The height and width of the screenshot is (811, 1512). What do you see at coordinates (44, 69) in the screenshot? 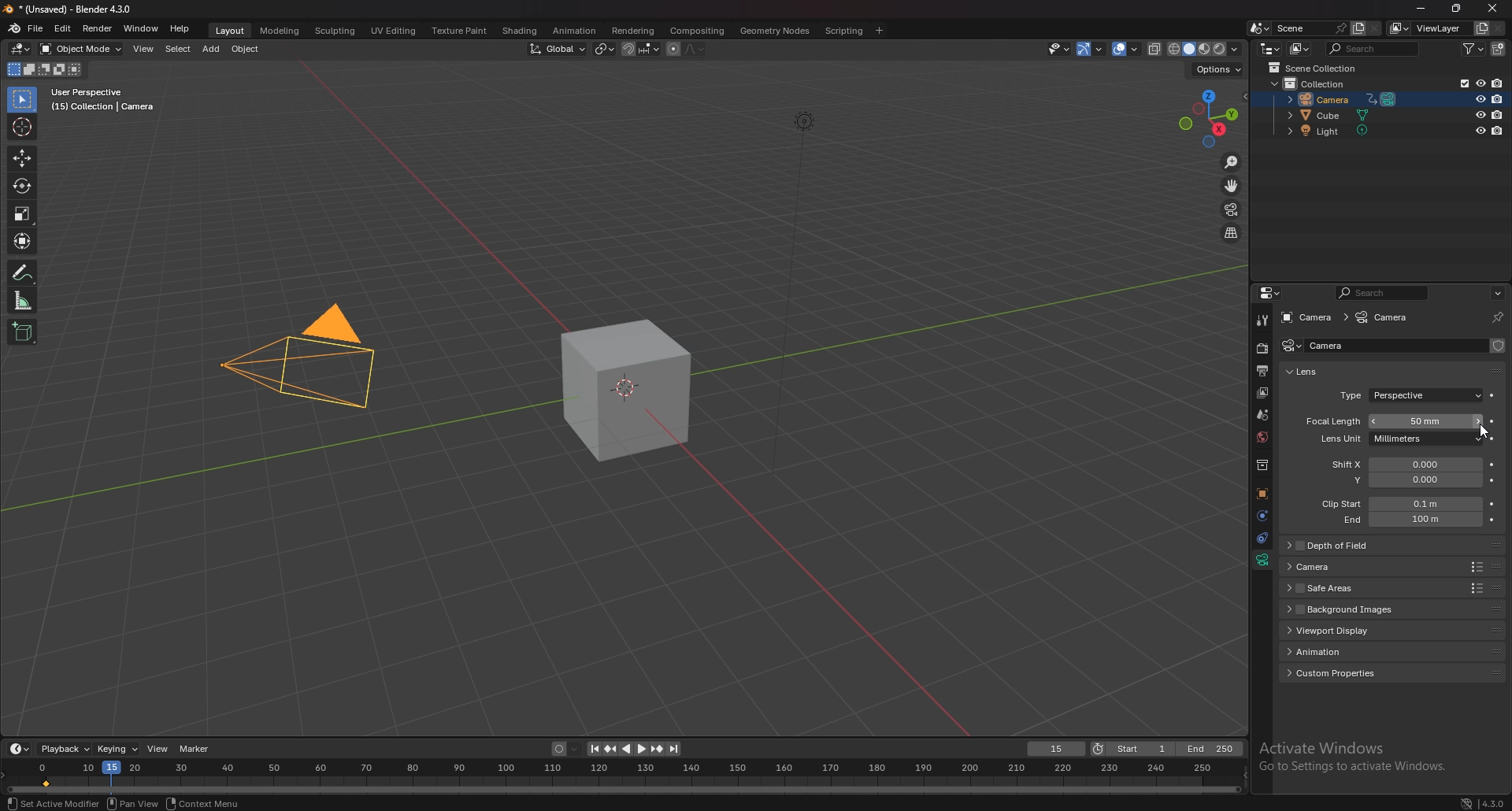
I see `mode` at bounding box center [44, 69].